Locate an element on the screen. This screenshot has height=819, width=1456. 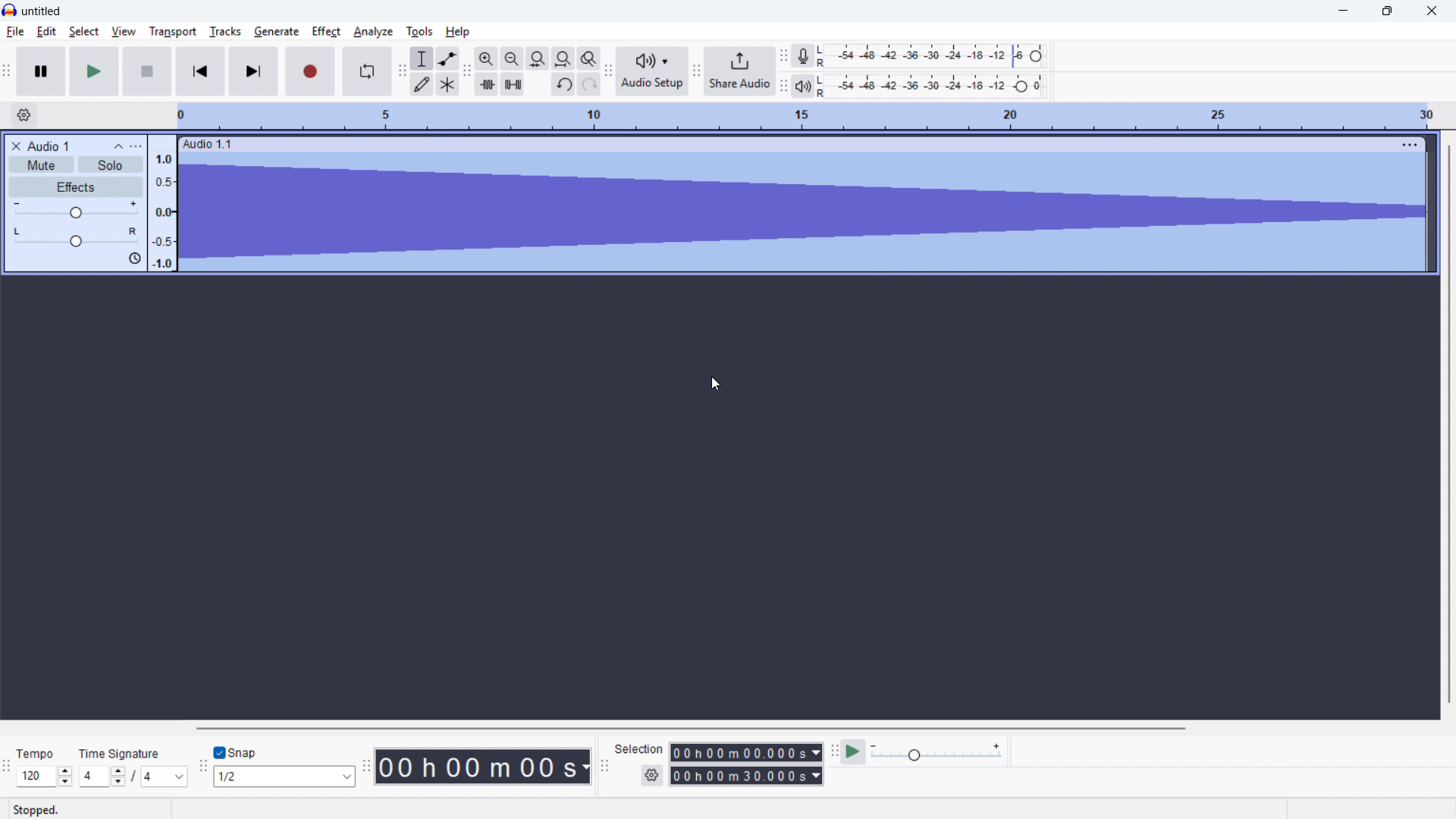
Selection end time is located at coordinates (746, 776).